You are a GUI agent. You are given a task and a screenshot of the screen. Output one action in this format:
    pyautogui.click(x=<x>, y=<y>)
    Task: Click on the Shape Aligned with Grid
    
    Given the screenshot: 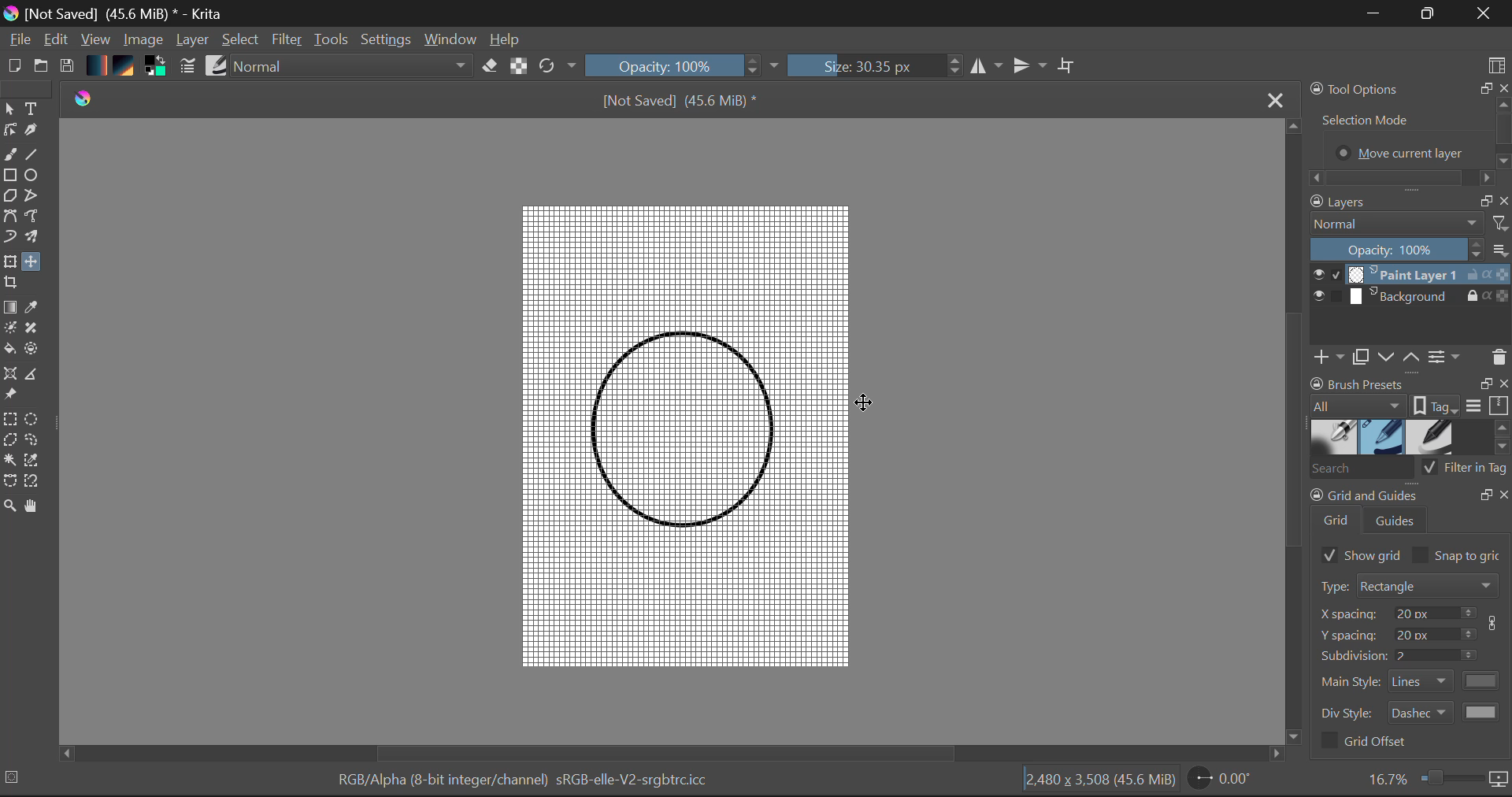 What is the action you would take?
    pyautogui.click(x=680, y=428)
    